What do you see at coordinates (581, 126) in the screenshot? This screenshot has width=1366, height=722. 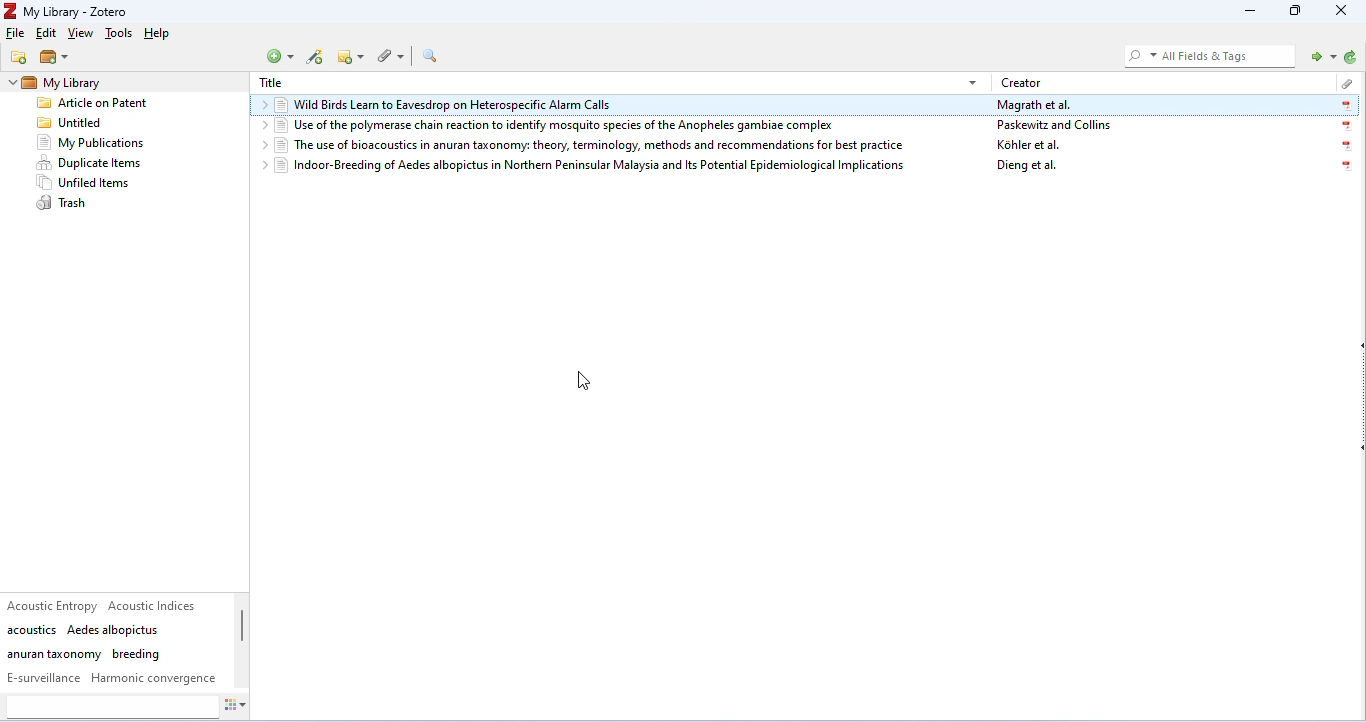 I see `Use of the polymerase chain reaction to identify mosquito species of the Anopheles gambiae complex` at bounding box center [581, 126].